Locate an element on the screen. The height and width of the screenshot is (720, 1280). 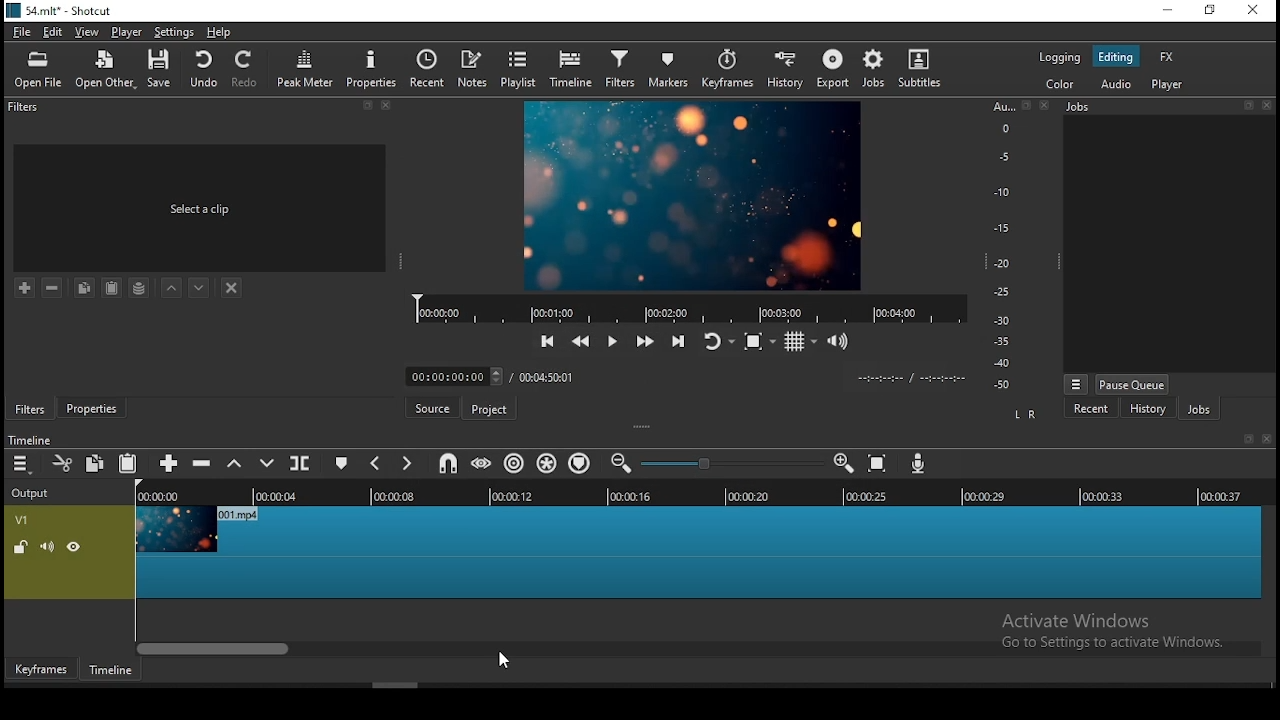
notes is located at coordinates (472, 69).